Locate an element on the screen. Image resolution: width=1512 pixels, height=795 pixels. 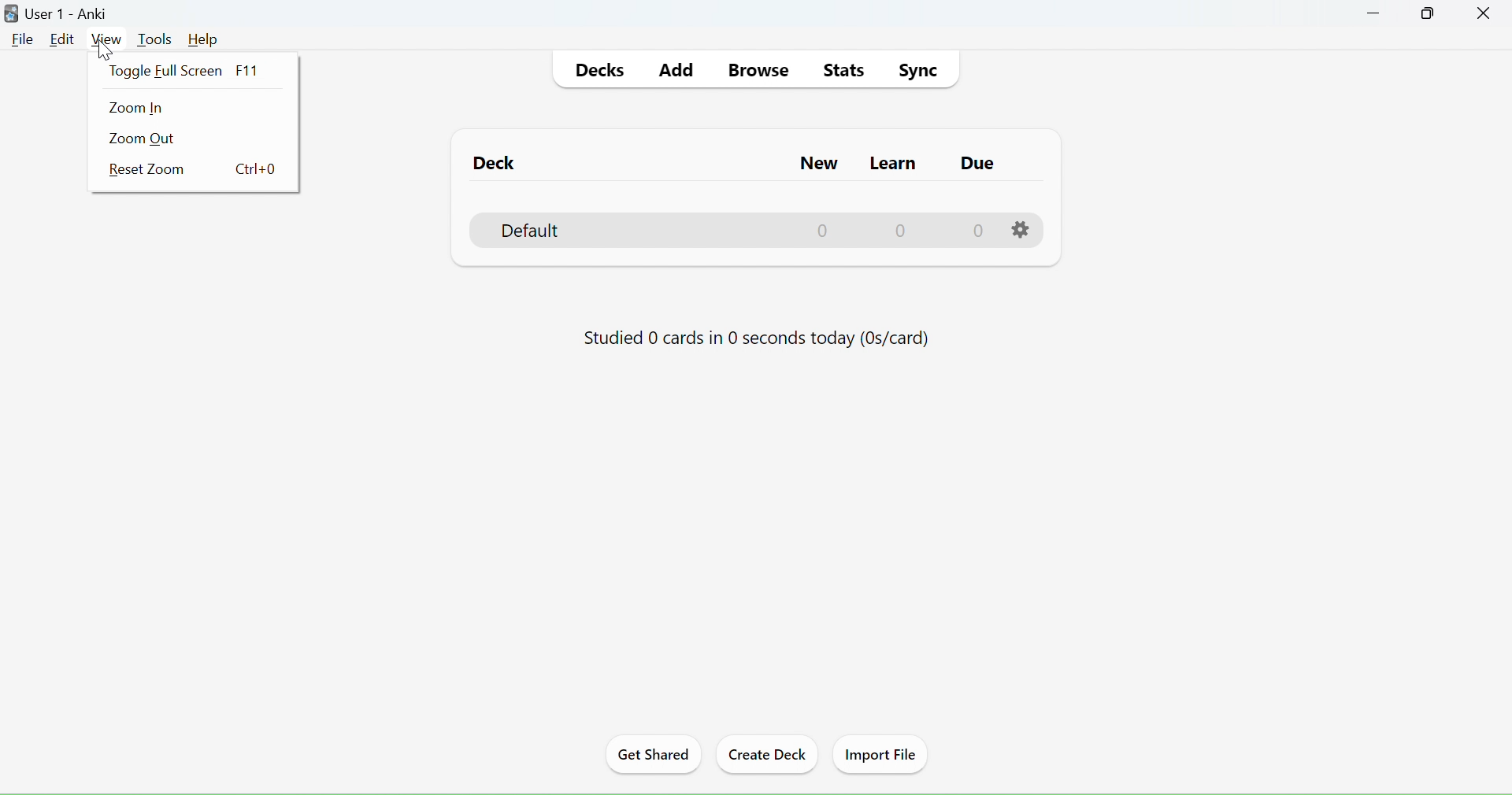
deck is located at coordinates (494, 164).